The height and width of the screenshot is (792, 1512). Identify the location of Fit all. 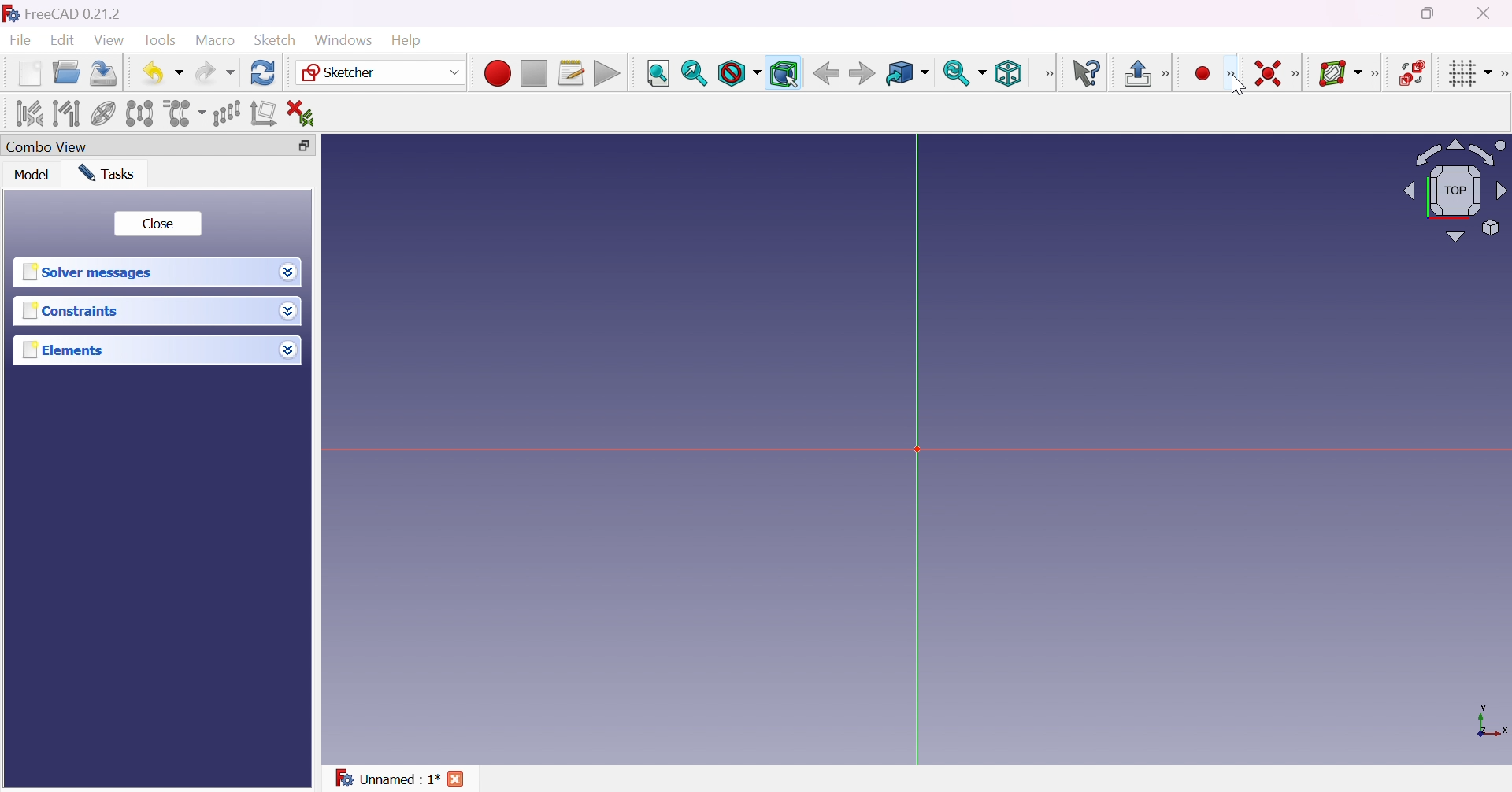
(659, 74).